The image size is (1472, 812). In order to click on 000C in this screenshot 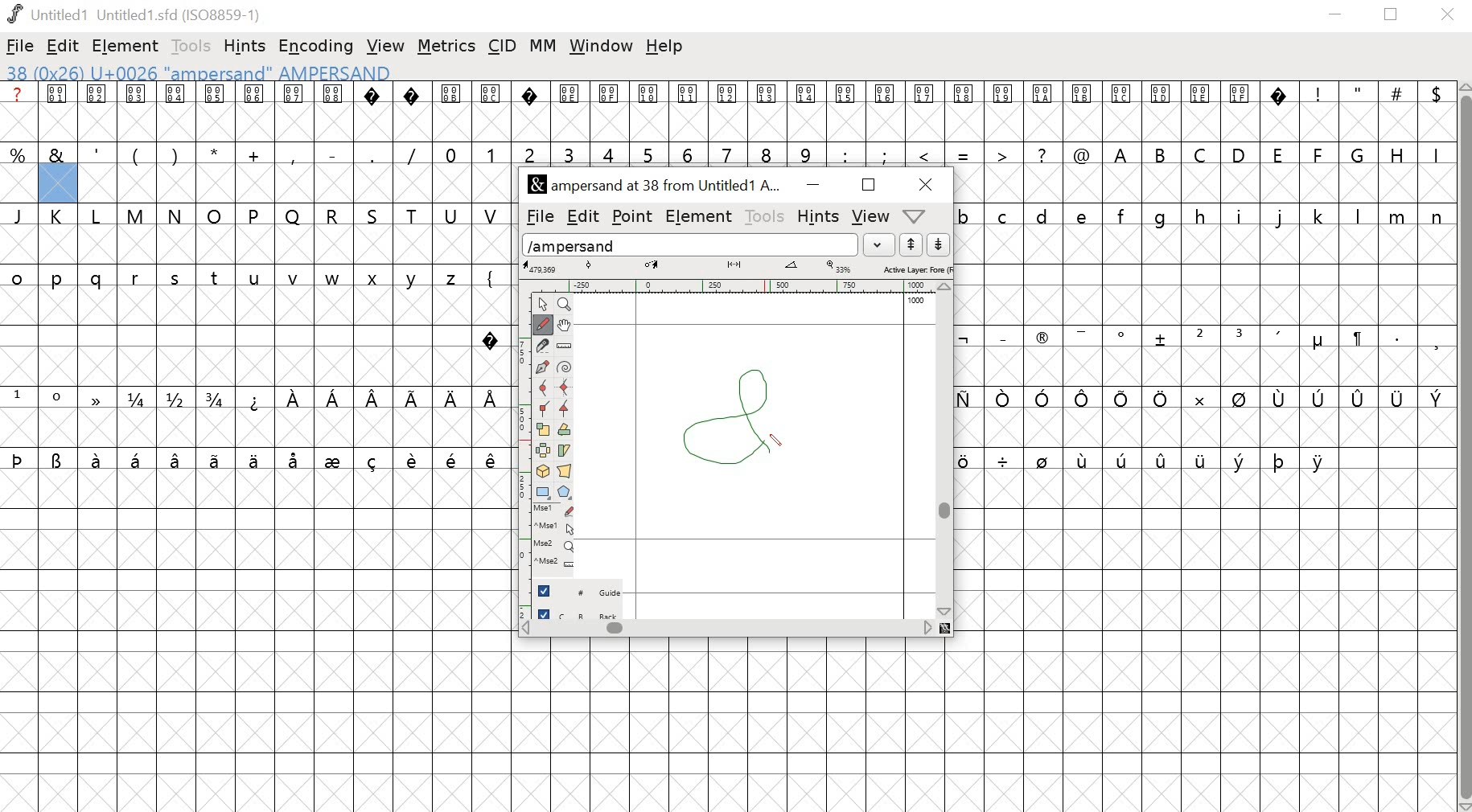, I will do `click(491, 110)`.